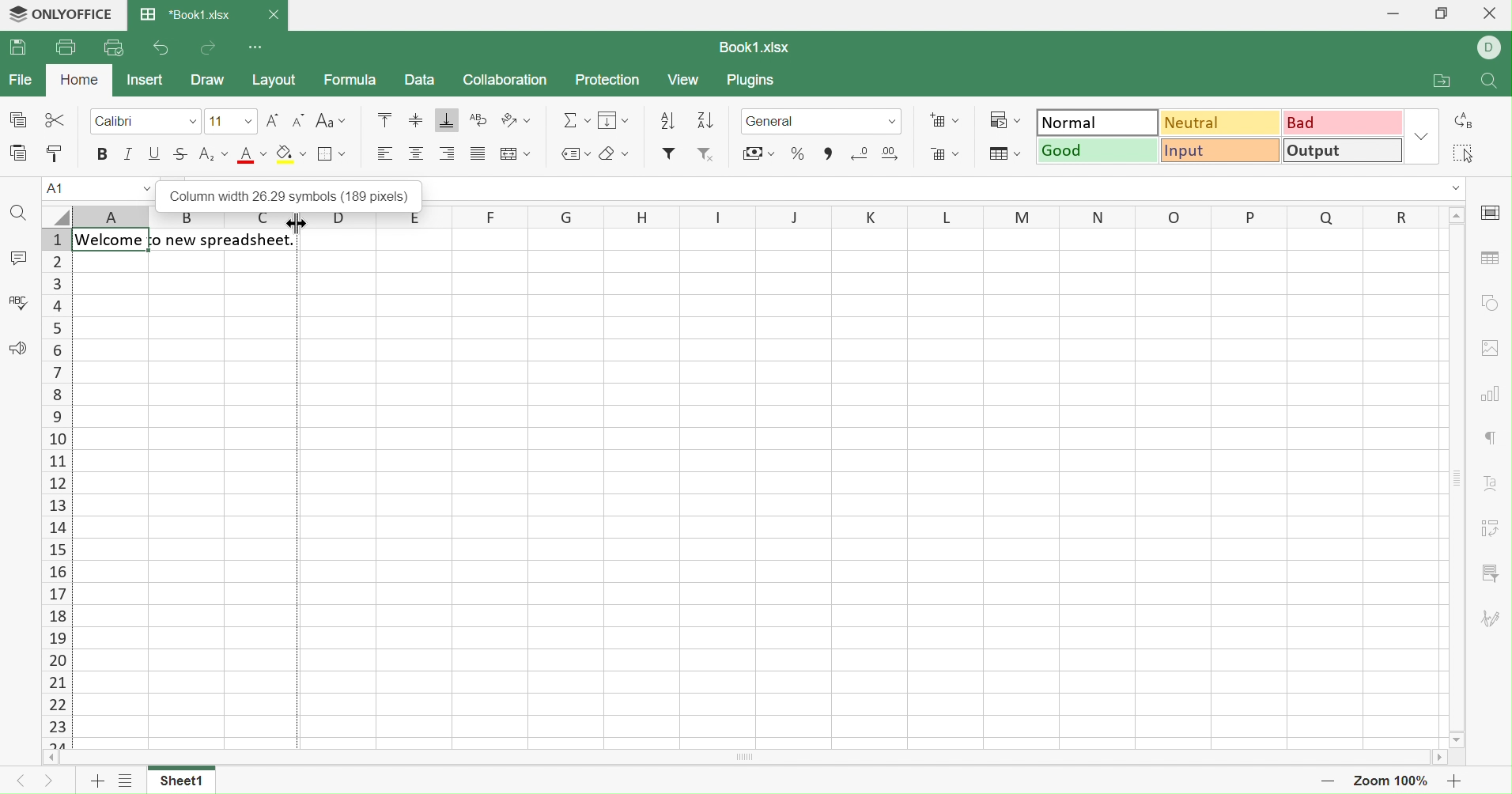 The width and height of the screenshot is (1512, 794). What do you see at coordinates (1452, 781) in the screenshot?
I see `Zoom In` at bounding box center [1452, 781].